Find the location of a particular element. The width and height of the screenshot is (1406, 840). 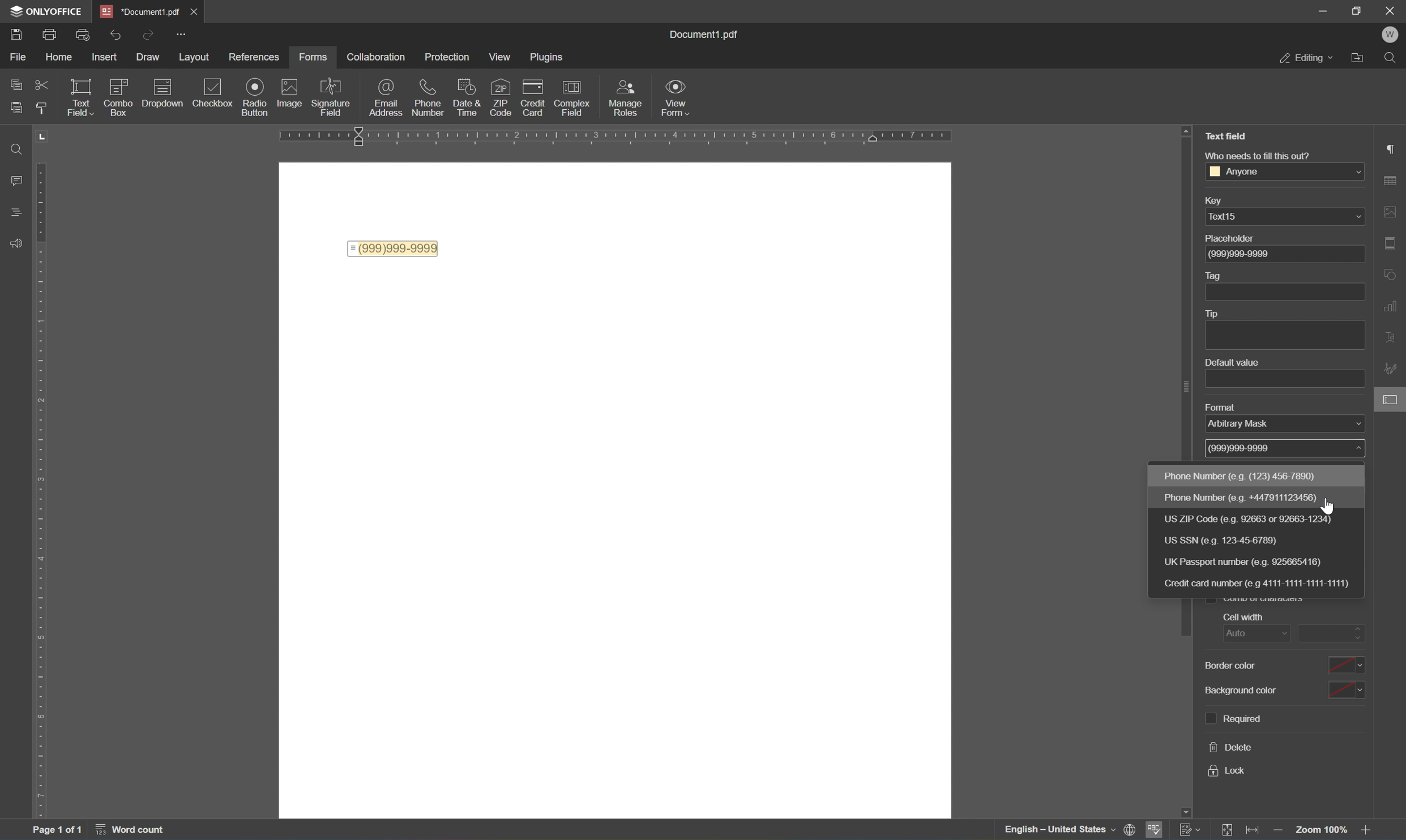

uk passport number is located at coordinates (1260, 563).